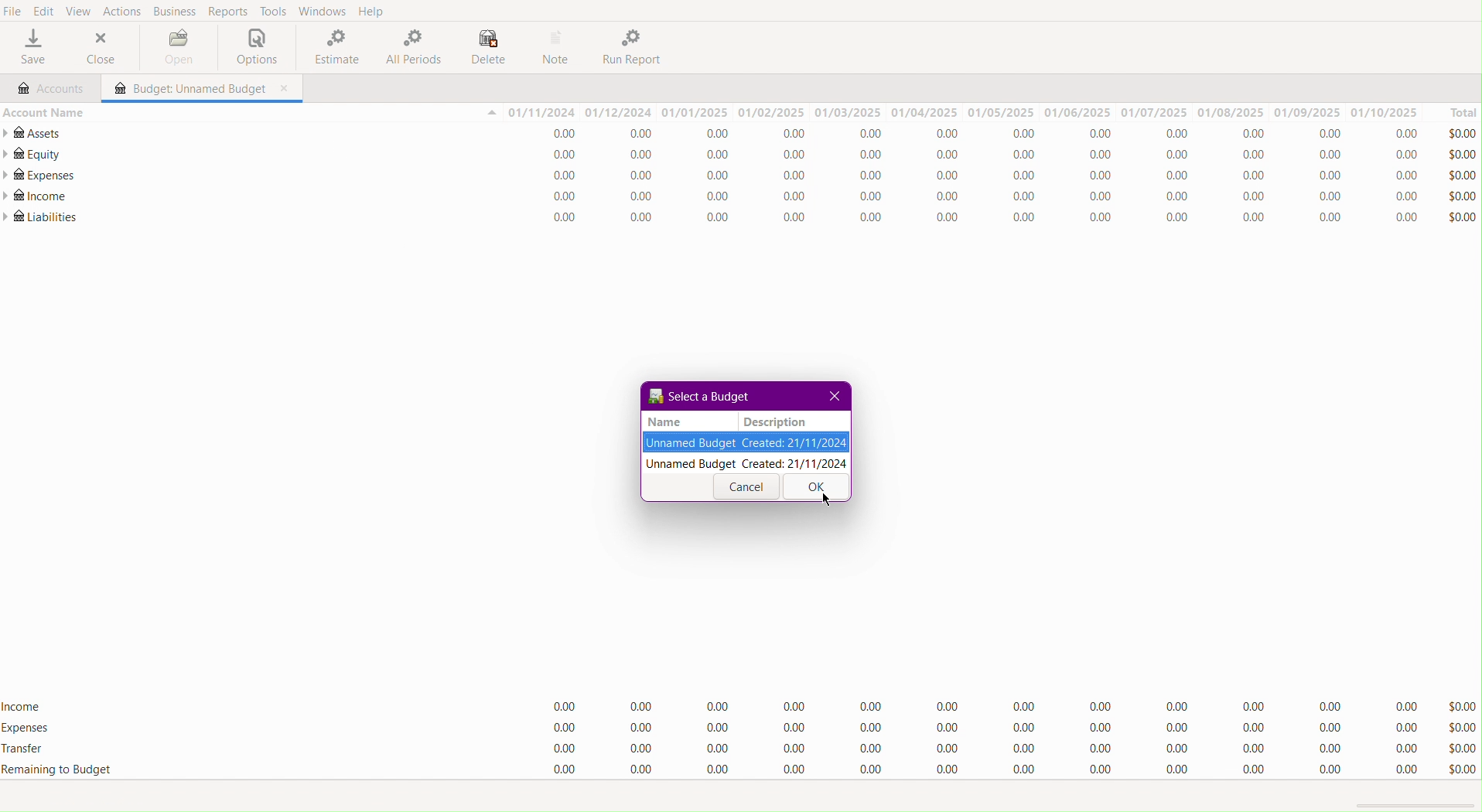 This screenshot has height=812, width=1482. Describe the element at coordinates (964, 112) in the screenshot. I see `Dates` at that location.